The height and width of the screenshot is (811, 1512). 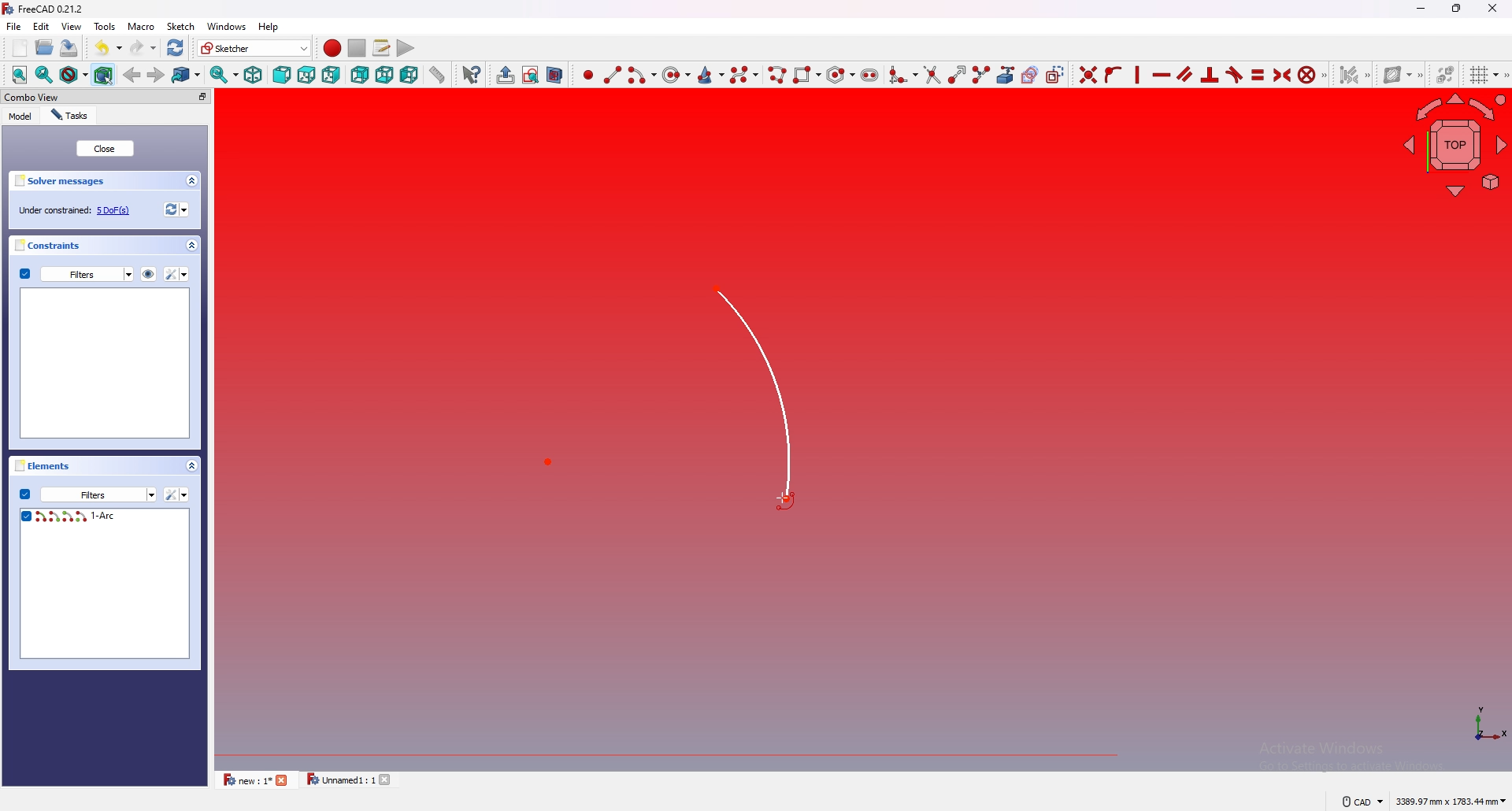 What do you see at coordinates (1283, 74) in the screenshot?
I see `constrain symmetrical` at bounding box center [1283, 74].